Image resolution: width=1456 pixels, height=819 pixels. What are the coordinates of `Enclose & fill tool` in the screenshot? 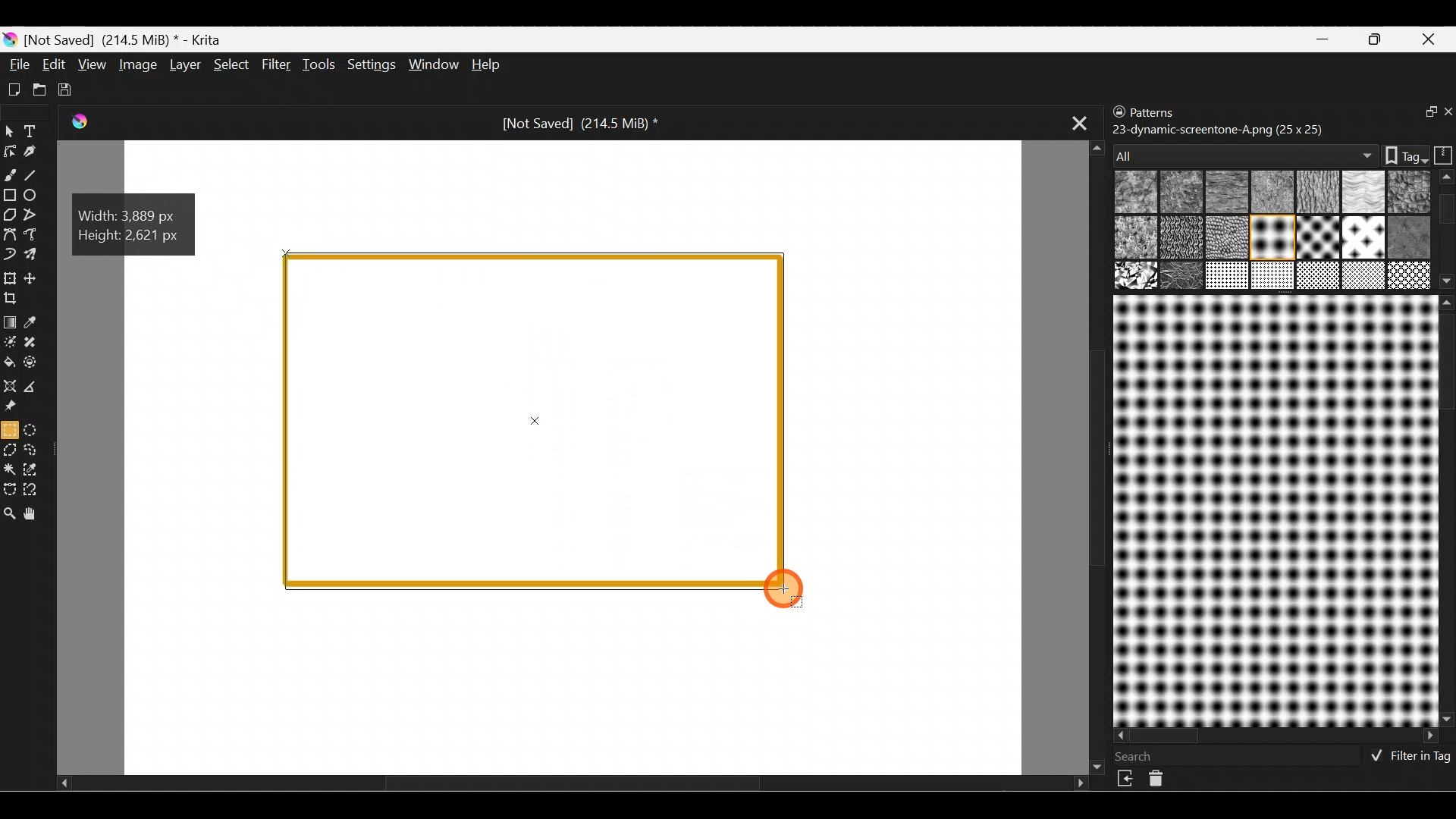 It's located at (38, 362).